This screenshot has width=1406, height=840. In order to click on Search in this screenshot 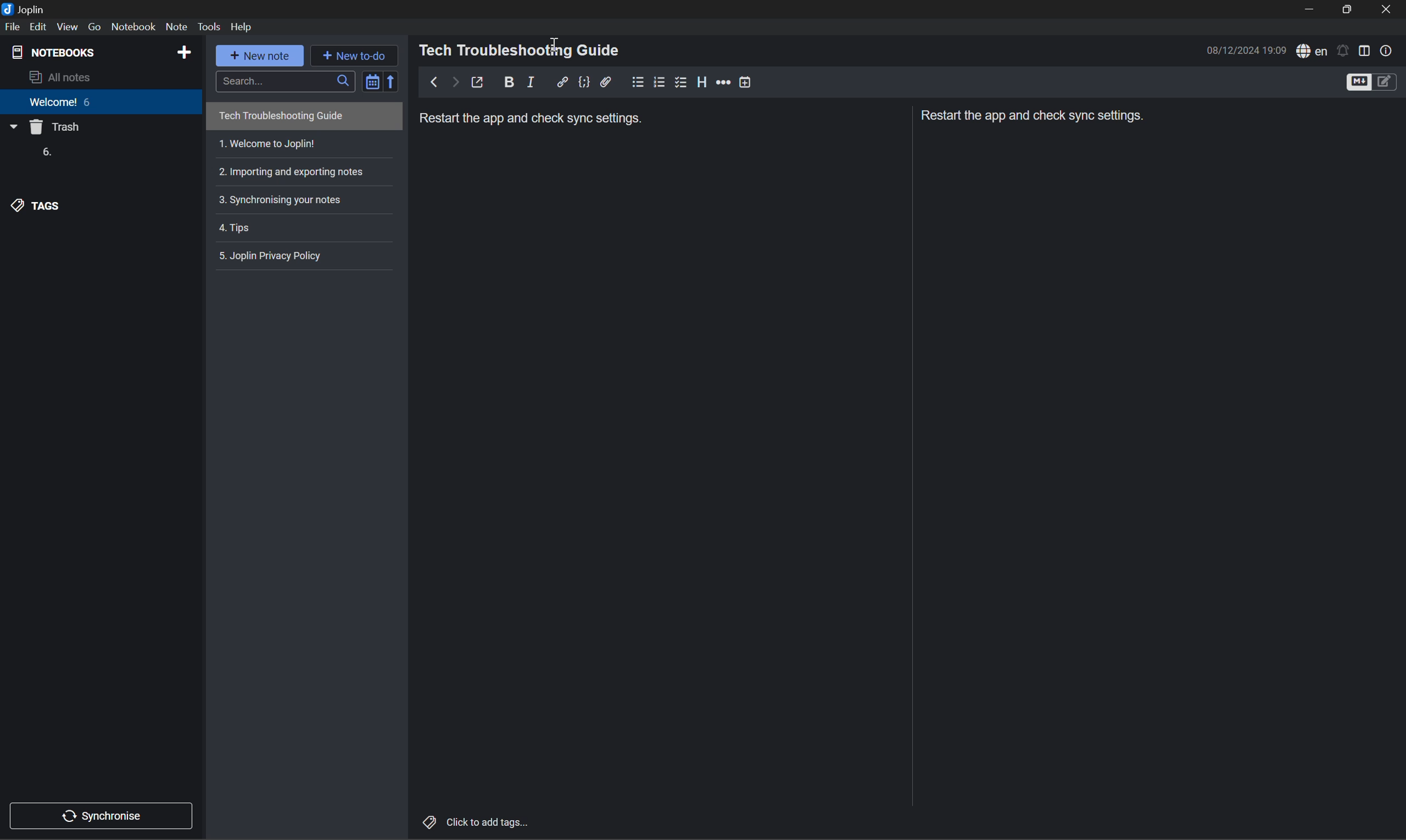, I will do `click(284, 80)`.